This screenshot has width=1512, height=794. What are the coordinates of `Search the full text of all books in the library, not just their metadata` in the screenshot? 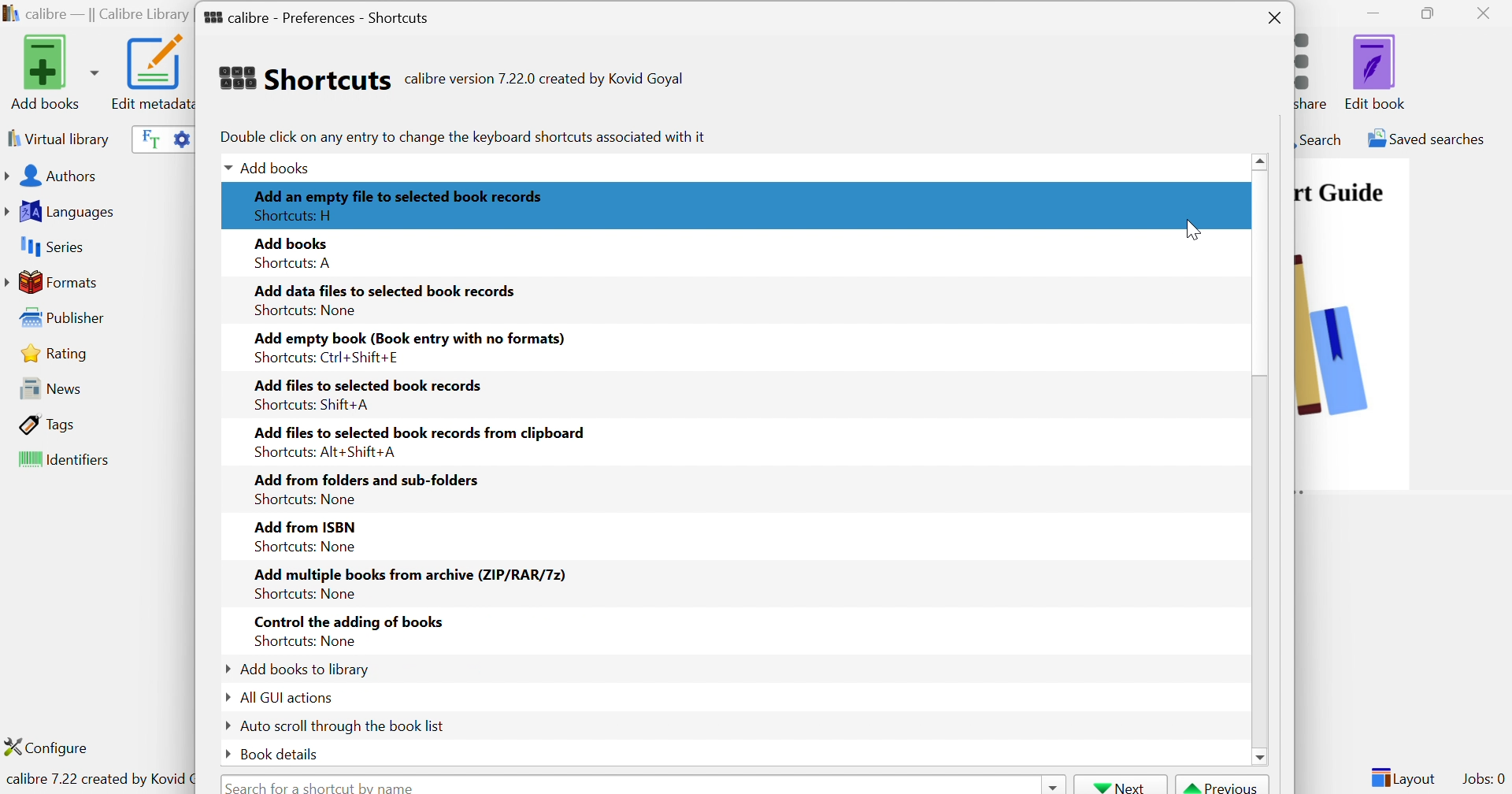 It's located at (147, 138).